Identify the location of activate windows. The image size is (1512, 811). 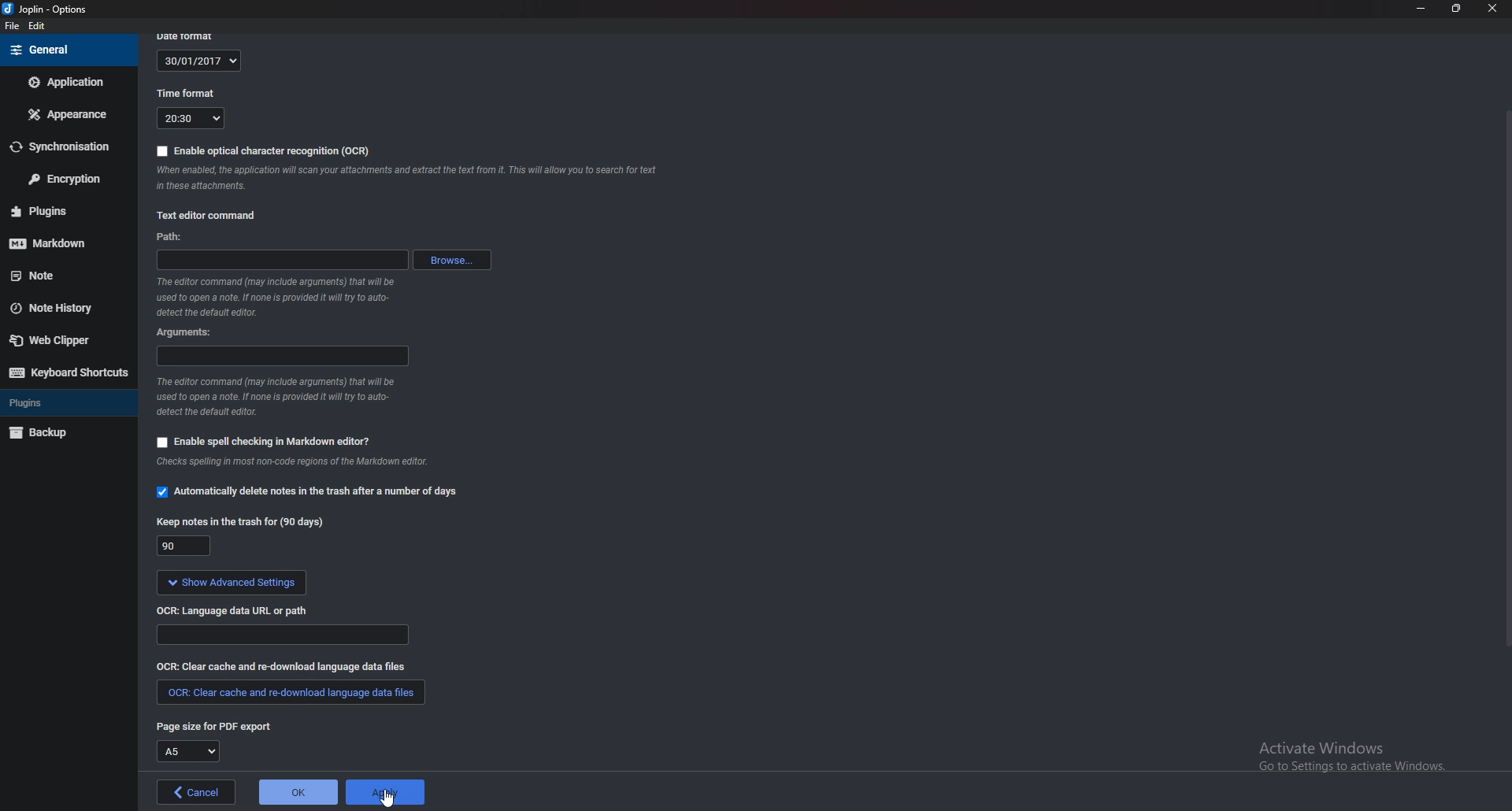
(1356, 763).